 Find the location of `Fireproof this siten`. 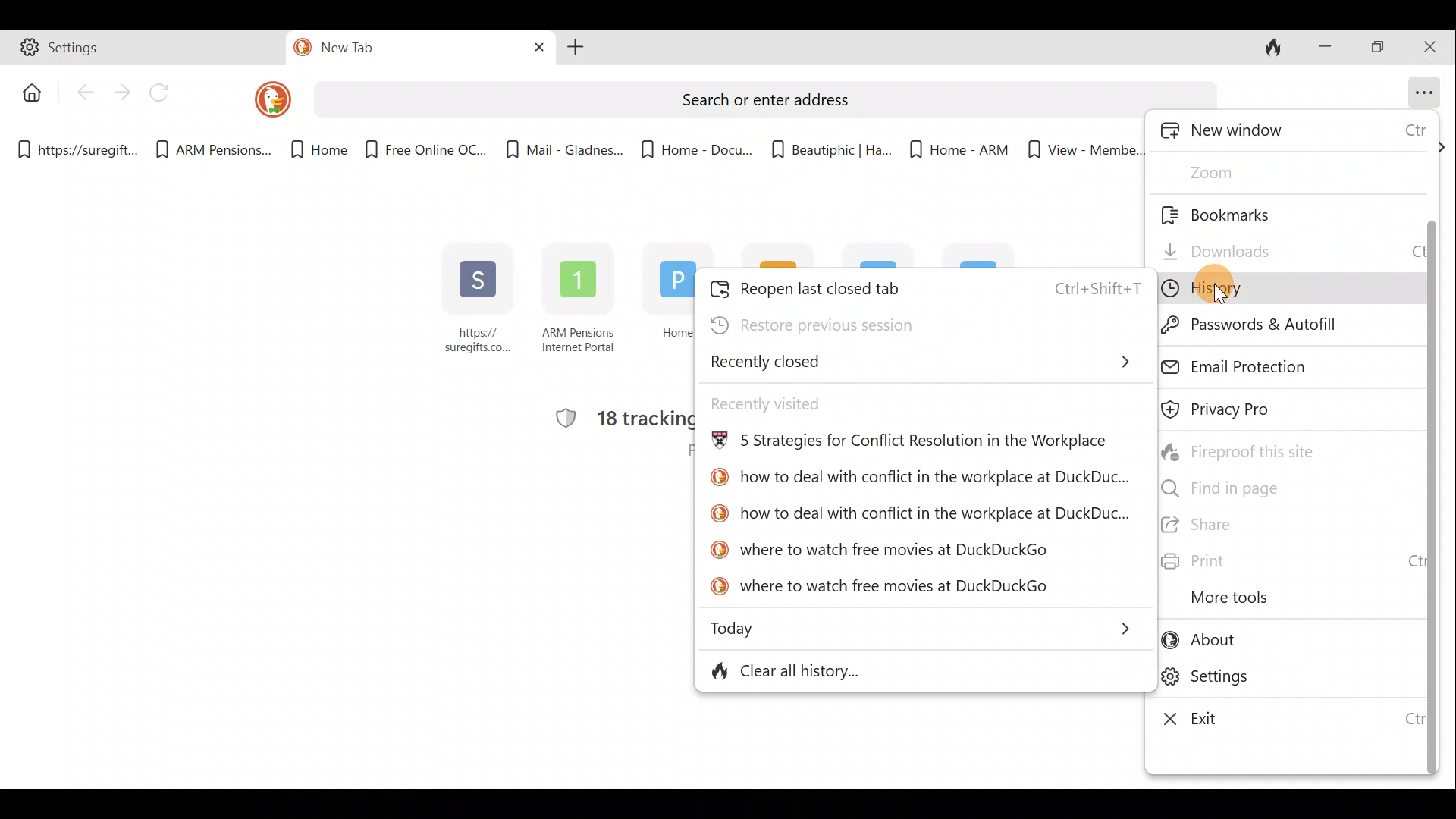

Fireproof this siten is located at coordinates (1250, 450).